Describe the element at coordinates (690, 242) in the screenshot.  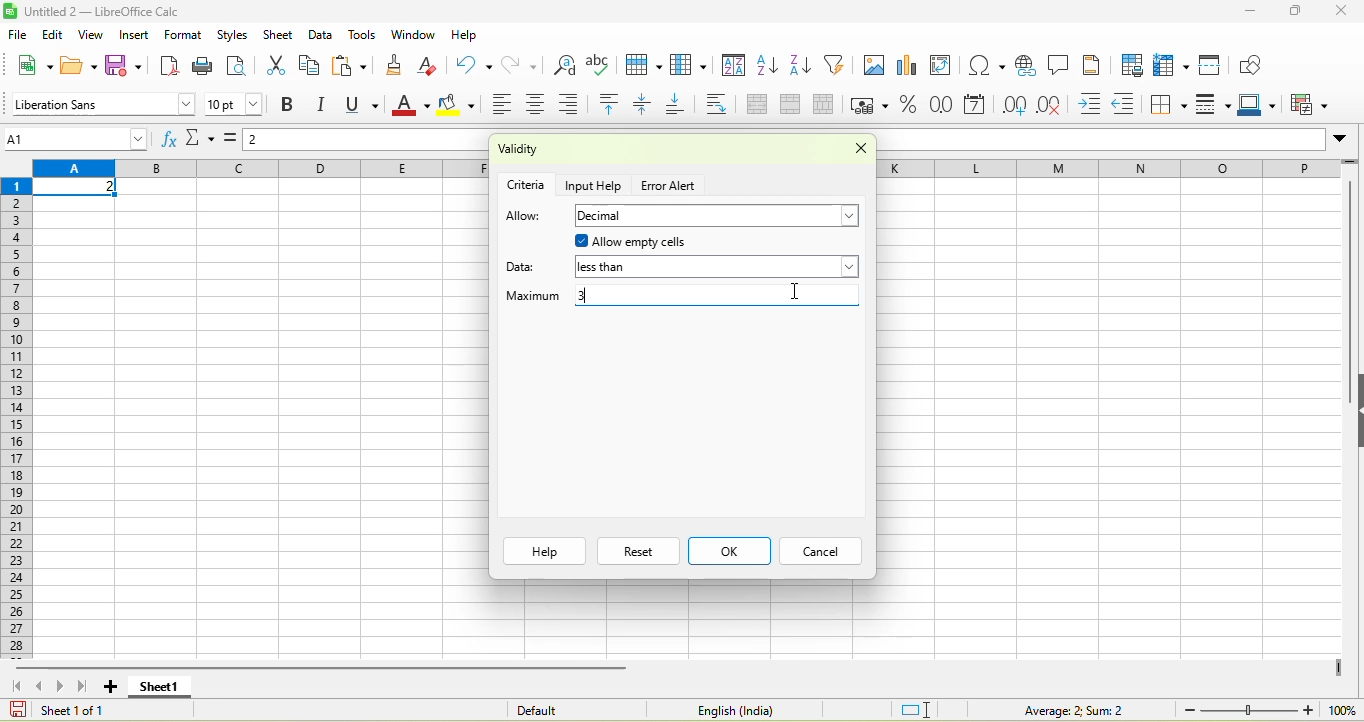
I see `allow empty cells` at that location.